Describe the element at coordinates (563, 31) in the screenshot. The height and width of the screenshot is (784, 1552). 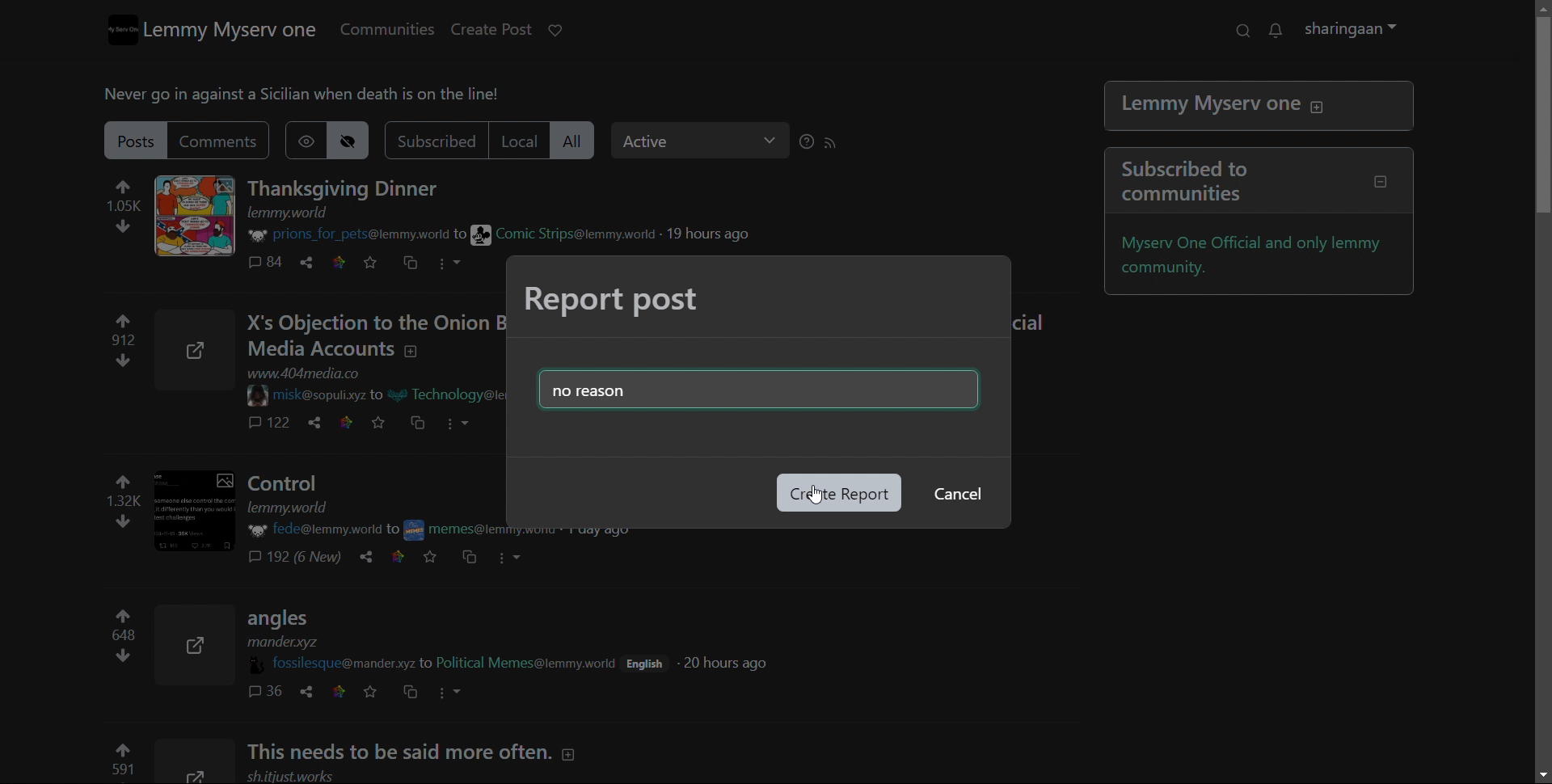
I see `donate to lemmy` at that location.